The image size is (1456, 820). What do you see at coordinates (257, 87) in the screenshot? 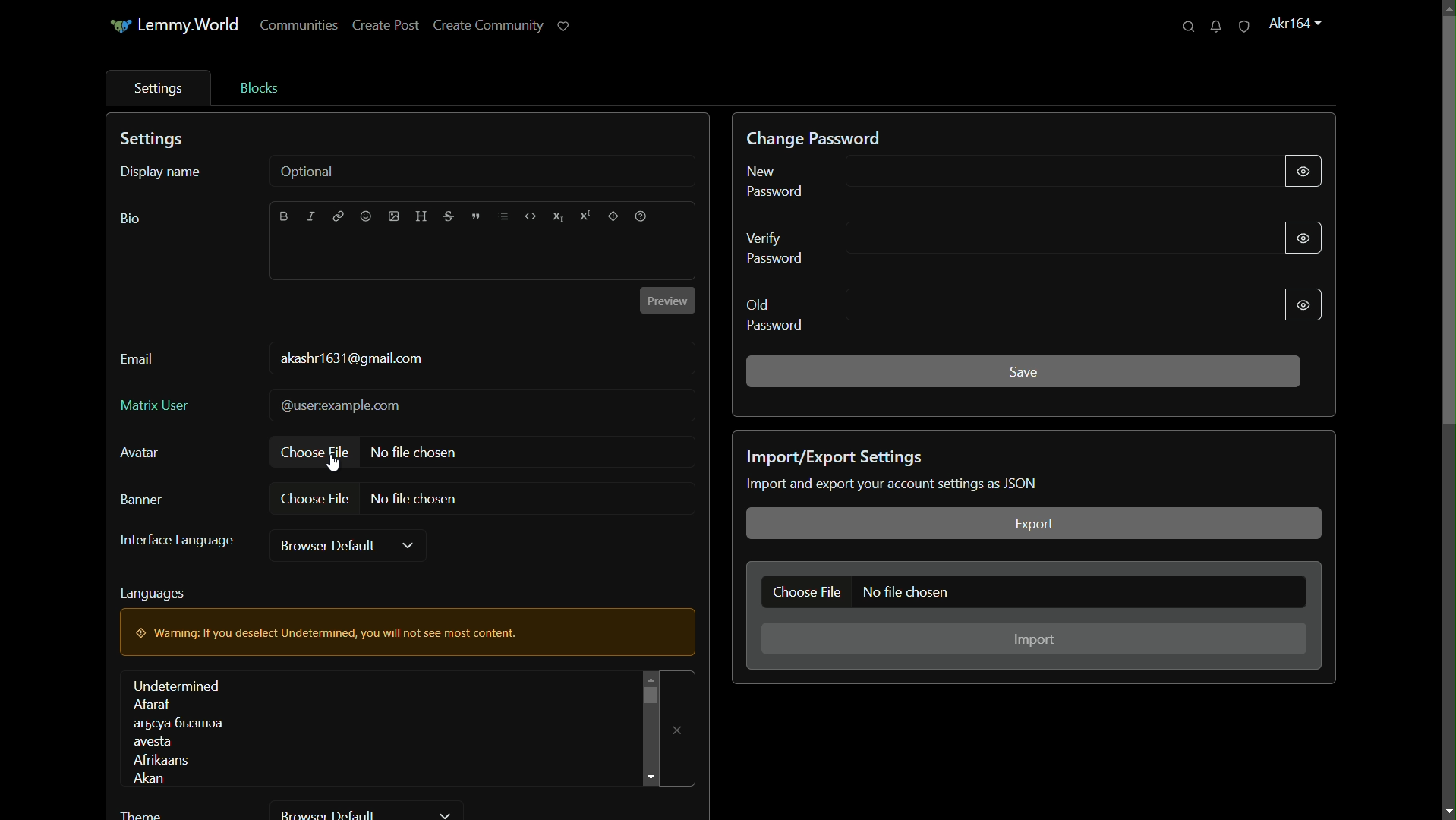
I see `blocks tab` at bounding box center [257, 87].